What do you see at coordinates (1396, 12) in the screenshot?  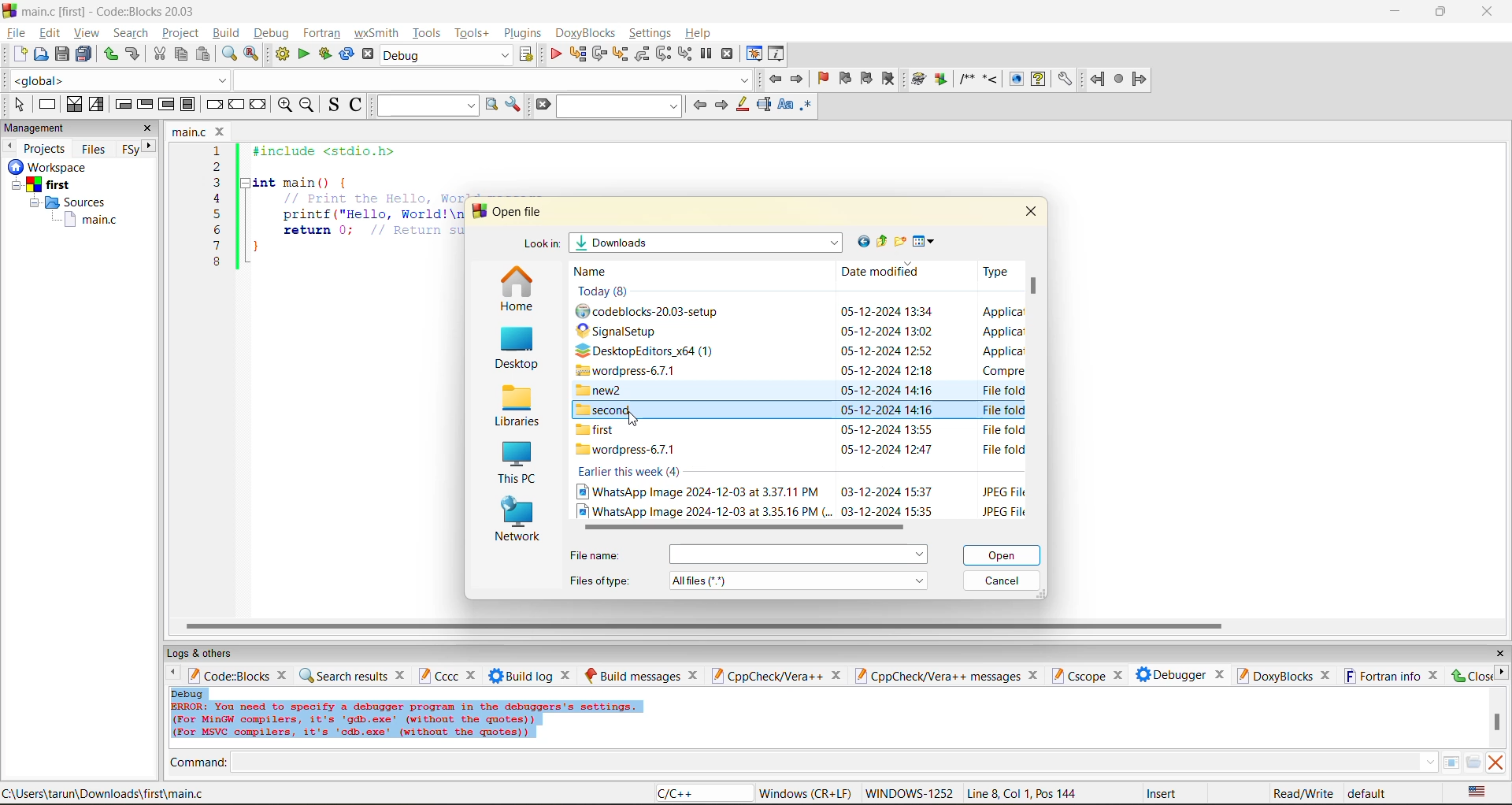 I see `minimize` at bounding box center [1396, 12].